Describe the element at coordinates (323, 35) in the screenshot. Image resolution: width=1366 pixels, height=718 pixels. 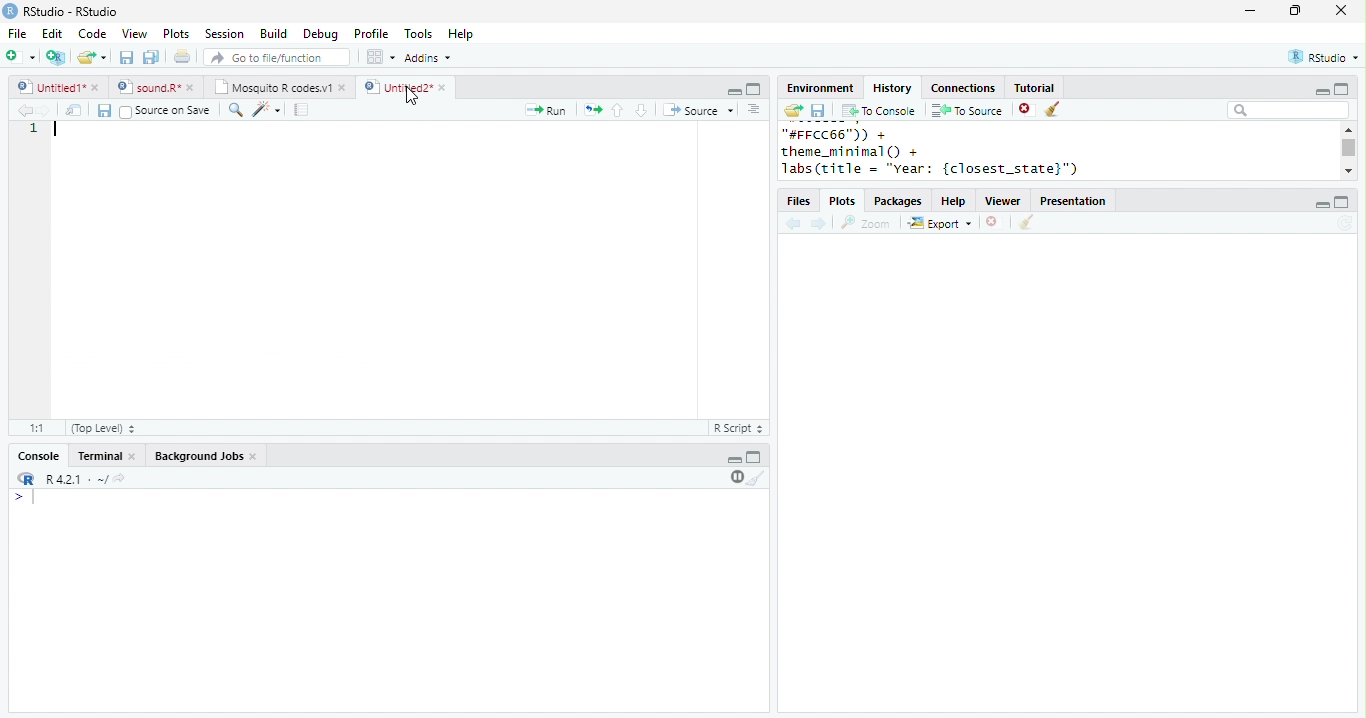
I see `Debug` at that location.